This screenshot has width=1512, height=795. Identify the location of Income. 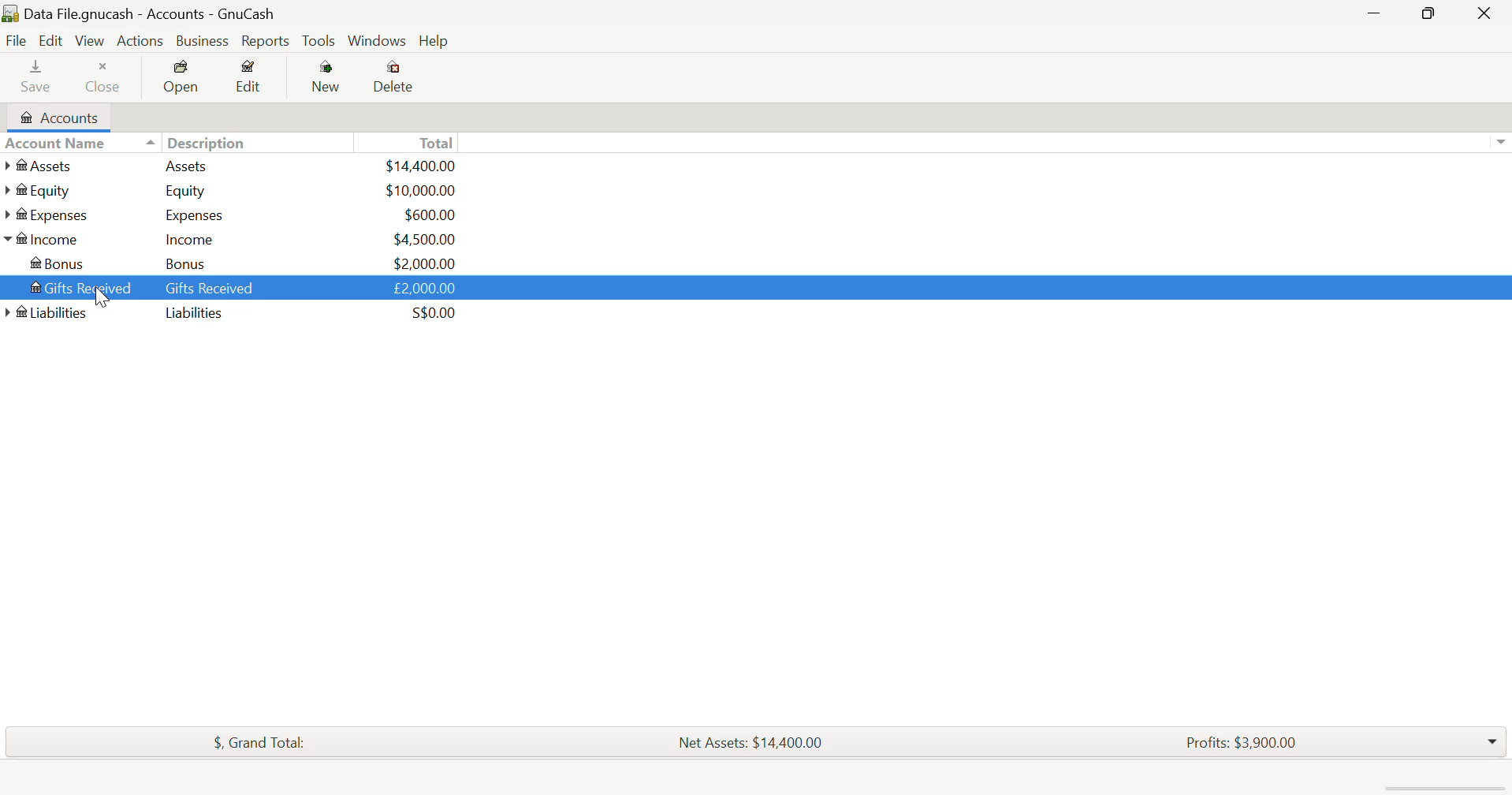
(47, 238).